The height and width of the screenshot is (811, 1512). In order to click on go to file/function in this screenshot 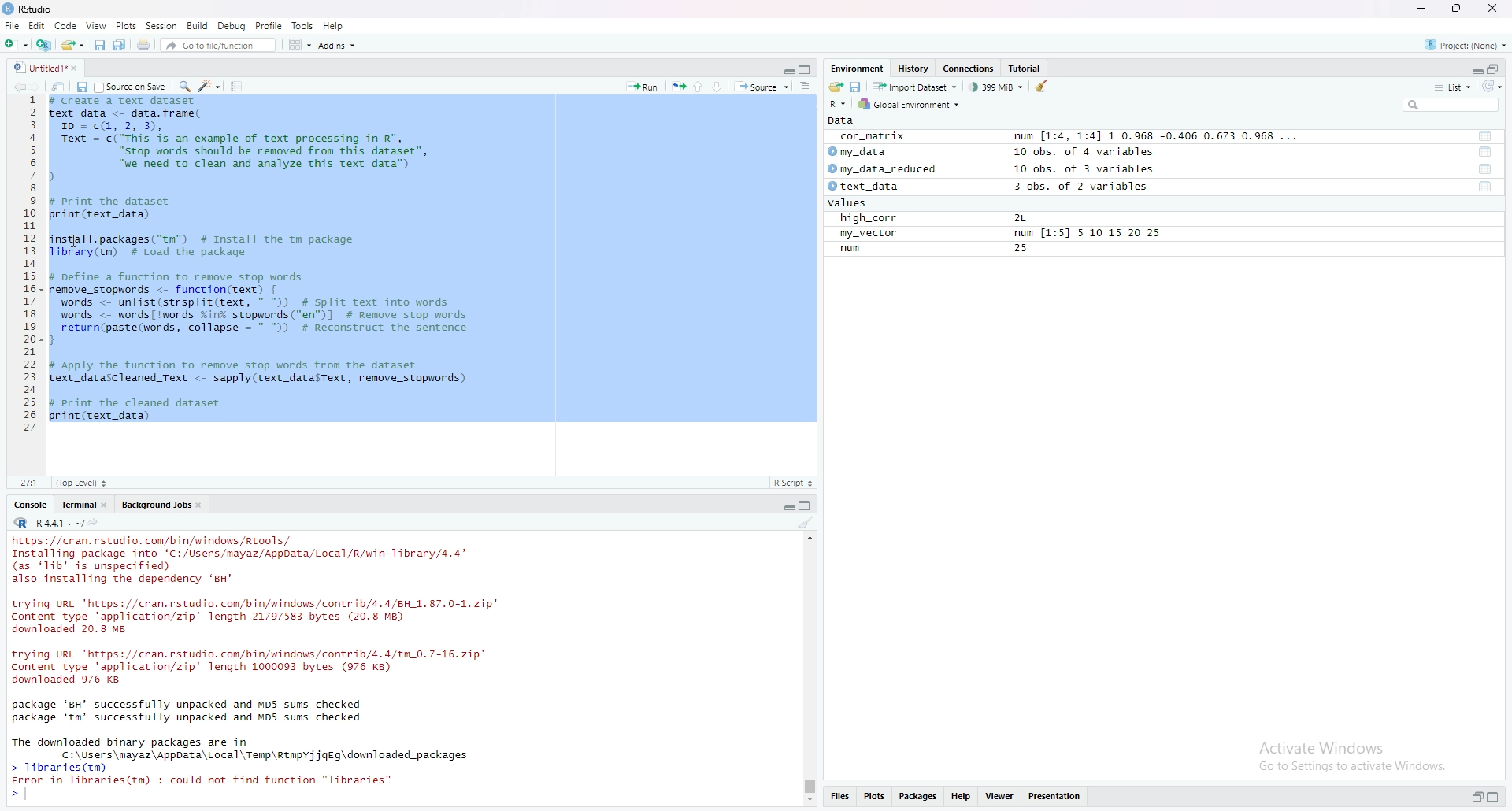, I will do `click(220, 46)`.